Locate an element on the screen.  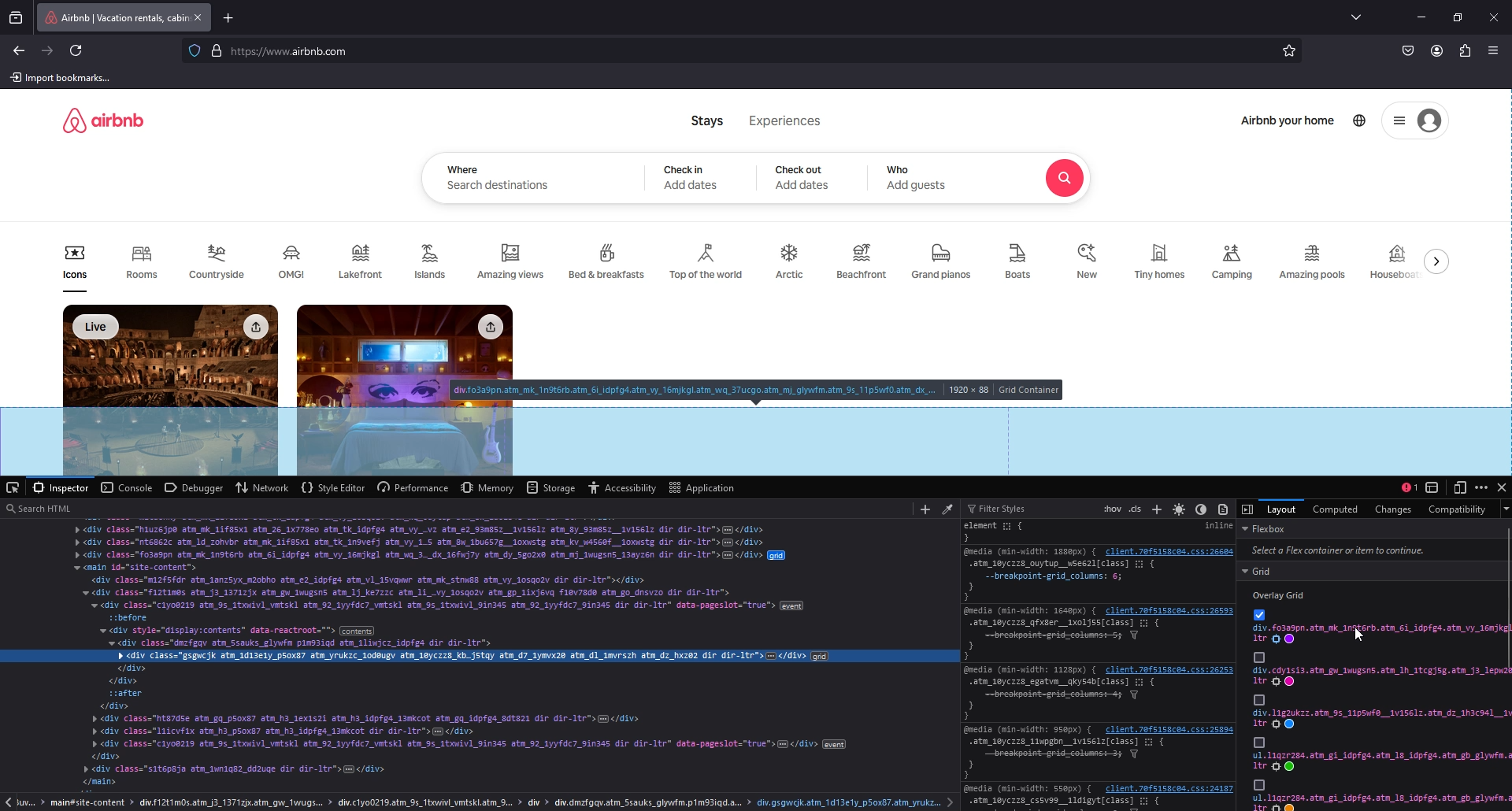
scroll bar is located at coordinates (1507, 598).